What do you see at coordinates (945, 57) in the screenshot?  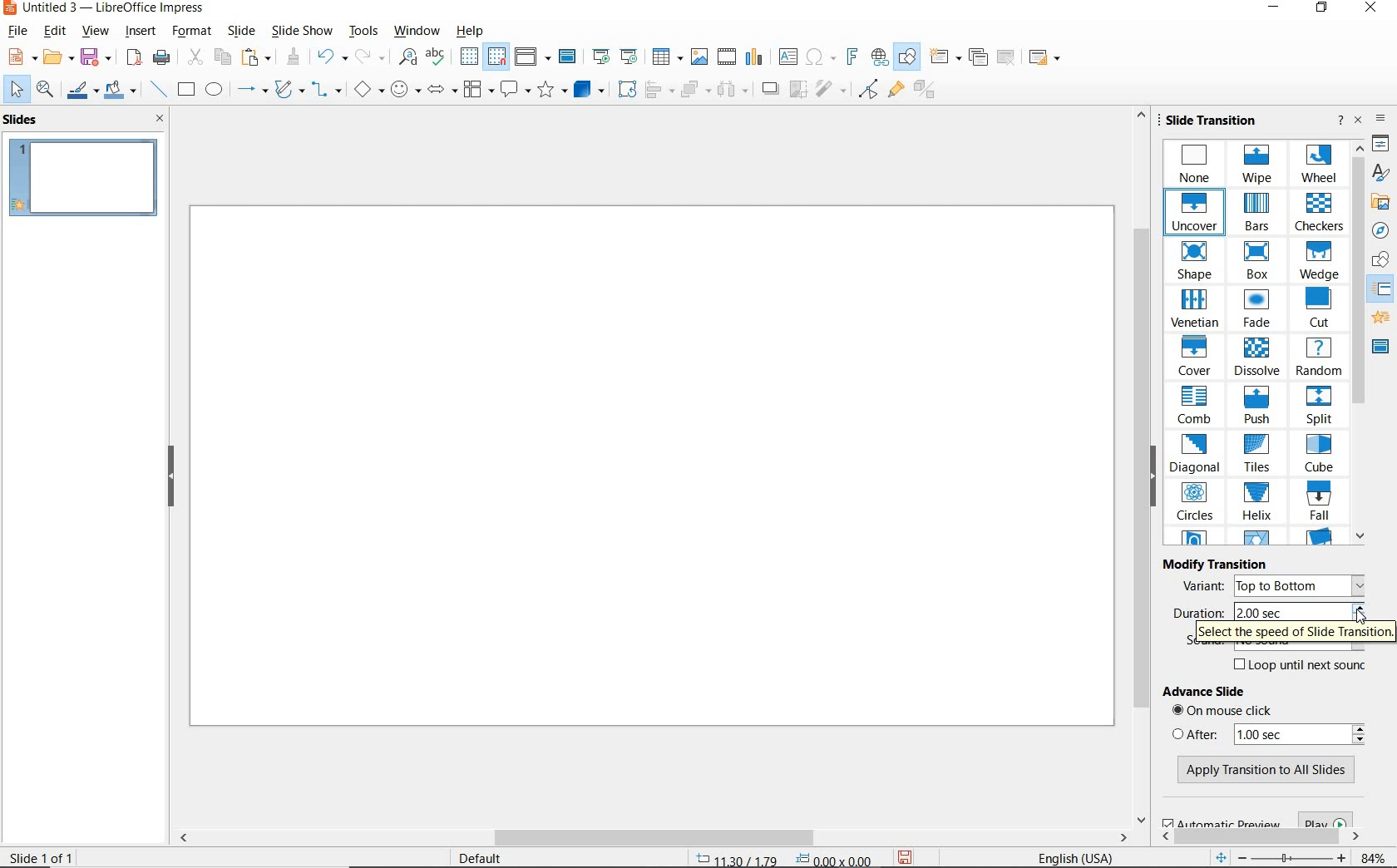 I see `NEW SLIDE` at bounding box center [945, 57].